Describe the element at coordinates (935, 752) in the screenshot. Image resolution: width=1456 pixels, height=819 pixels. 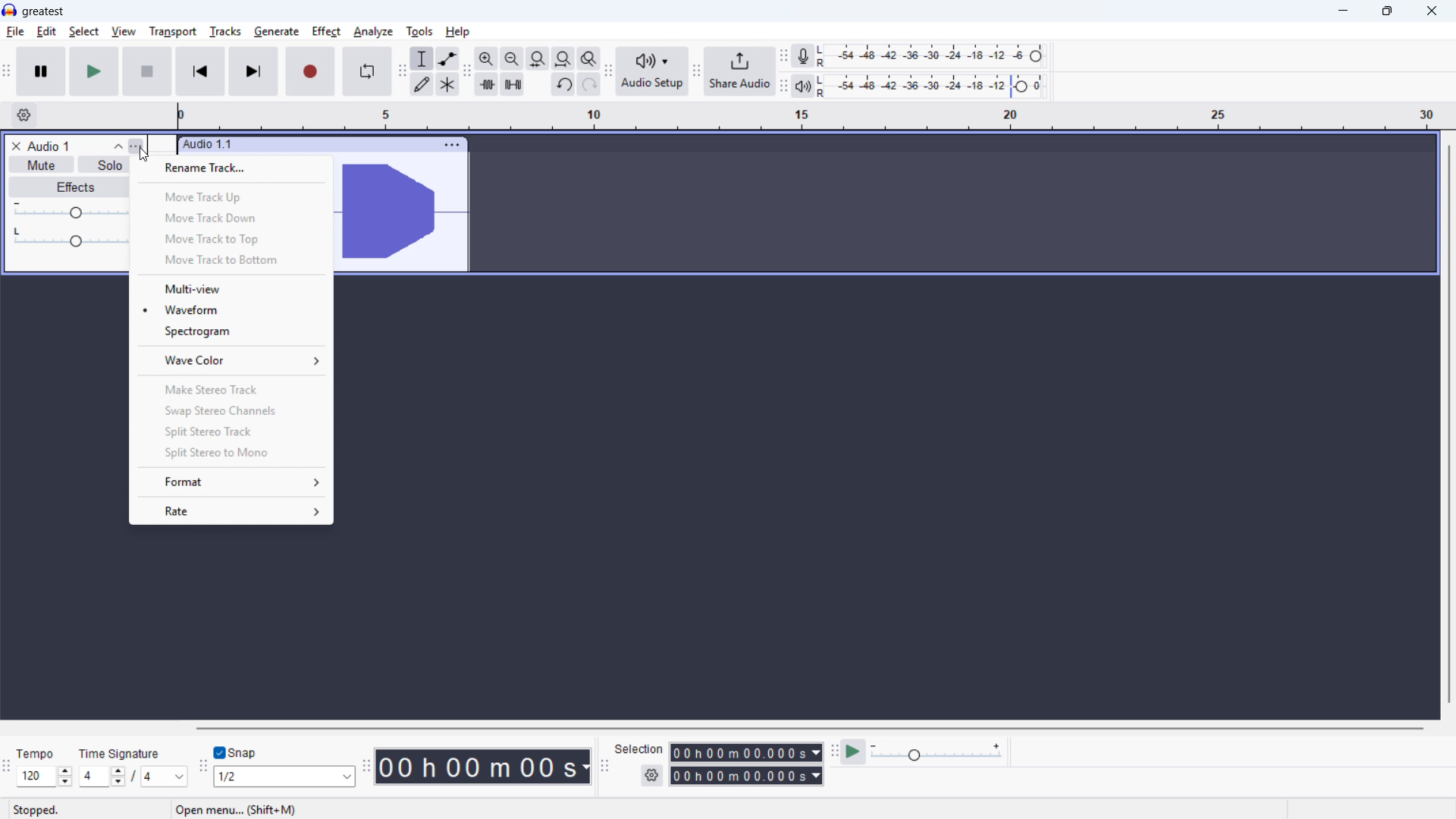
I see `playback speed` at that location.